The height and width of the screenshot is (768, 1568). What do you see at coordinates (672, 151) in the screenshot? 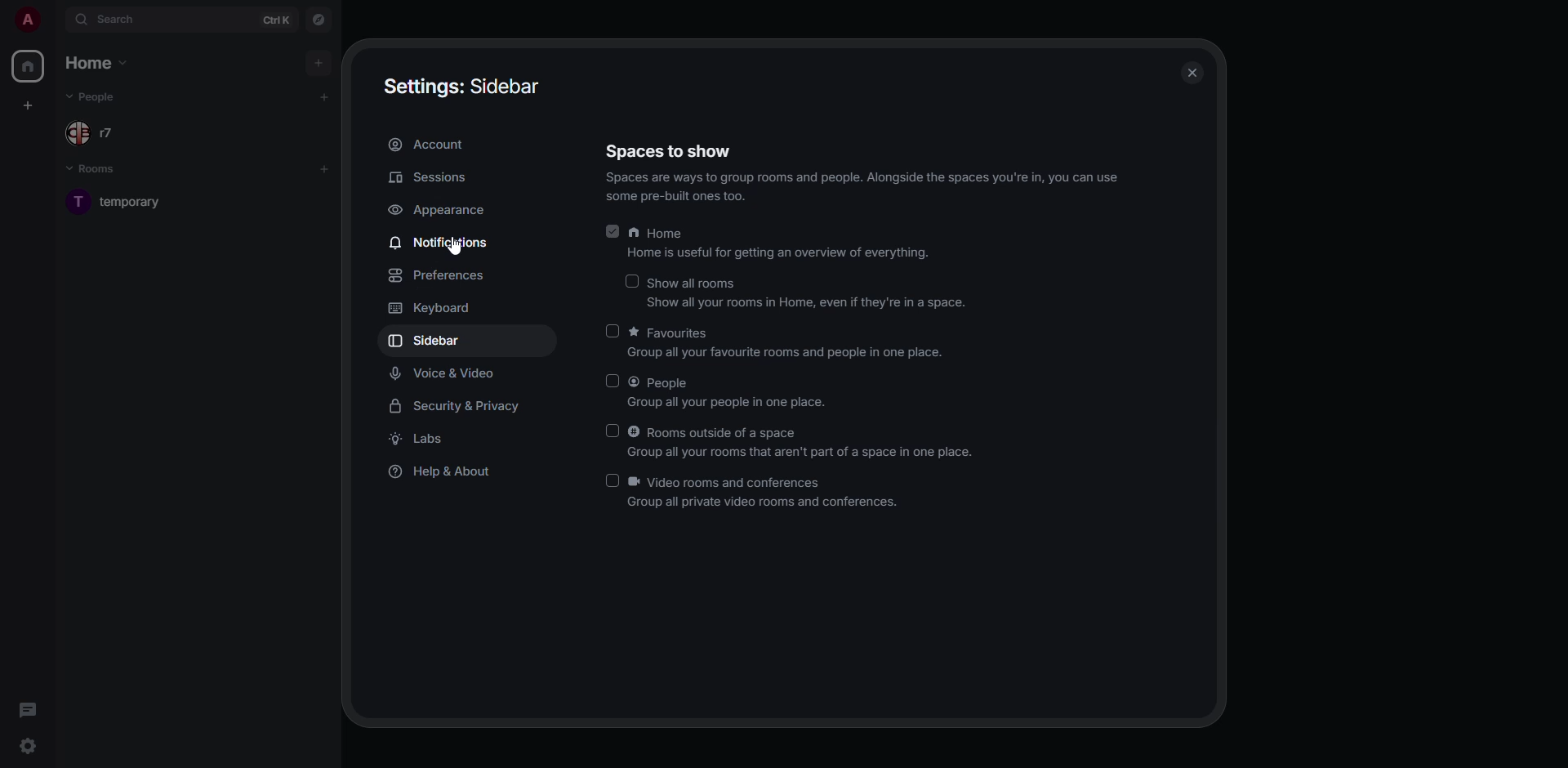
I see `spaces to show` at bounding box center [672, 151].